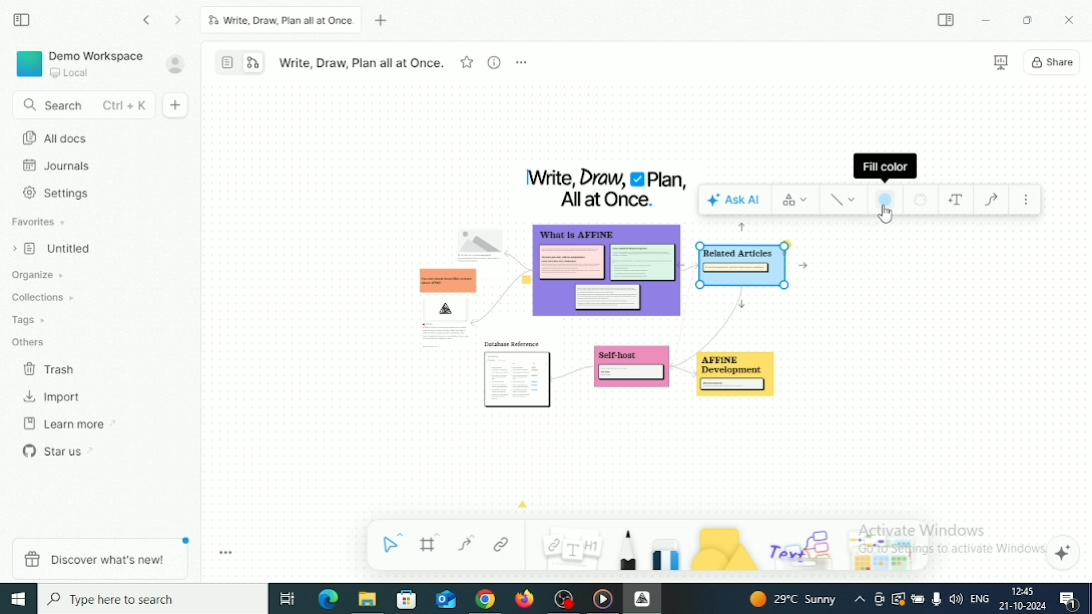 The width and height of the screenshot is (1092, 614). What do you see at coordinates (394, 542) in the screenshot?
I see `Select` at bounding box center [394, 542].